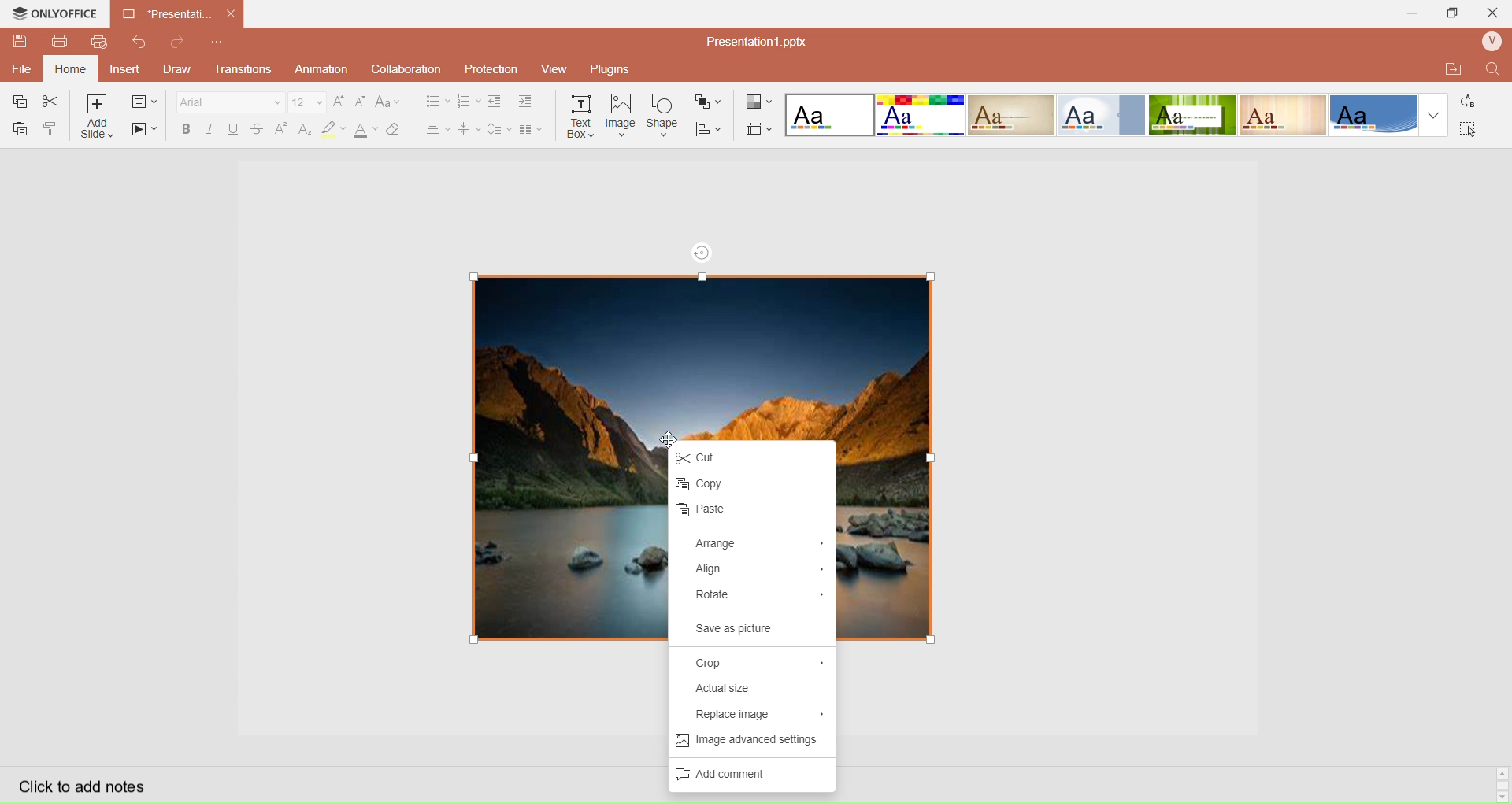 The width and height of the screenshot is (1512, 803). What do you see at coordinates (19, 14) in the screenshot?
I see `onlyoffice logo` at bounding box center [19, 14].